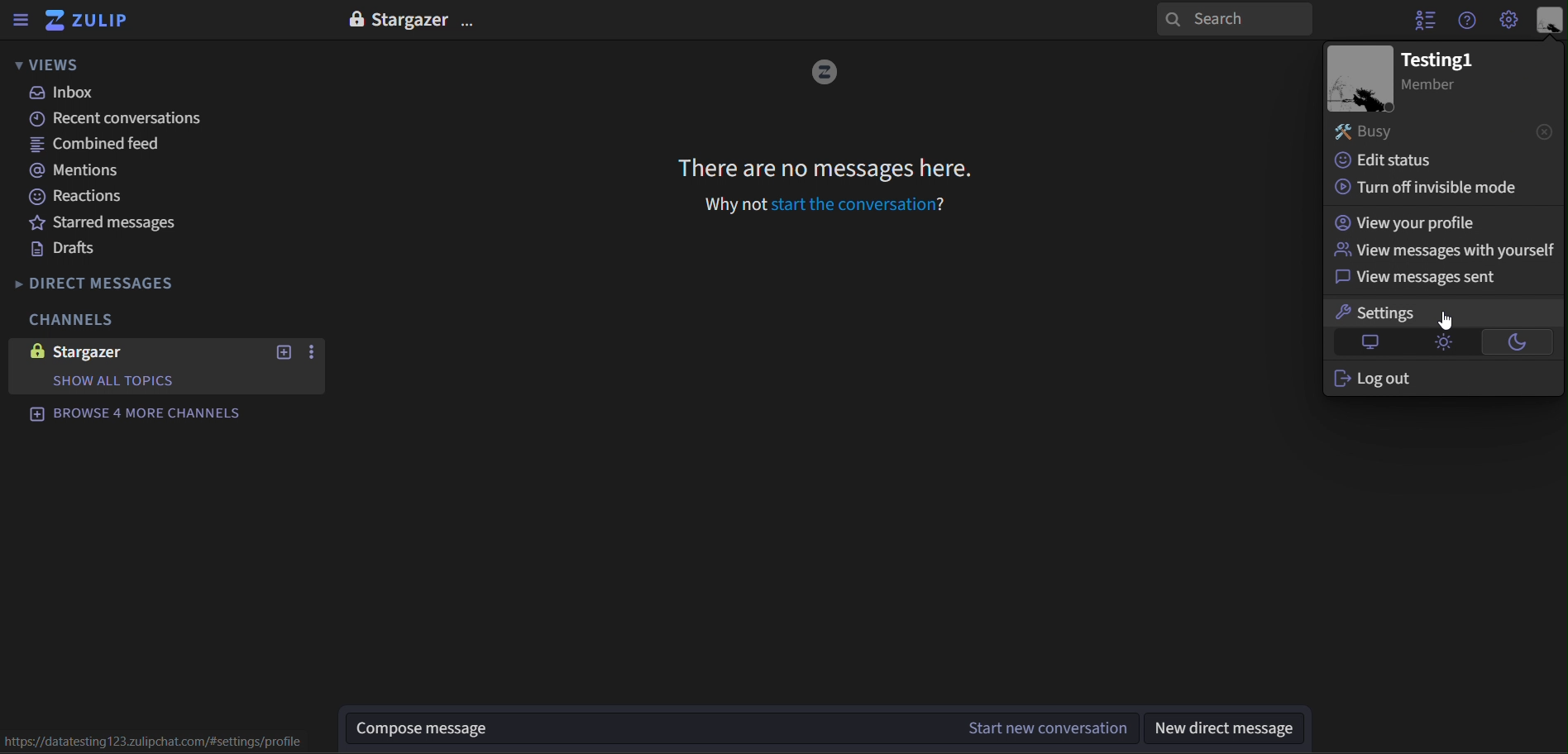  Describe the element at coordinates (826, 167) in the screenshot. I see `There are no messages here` at that location.